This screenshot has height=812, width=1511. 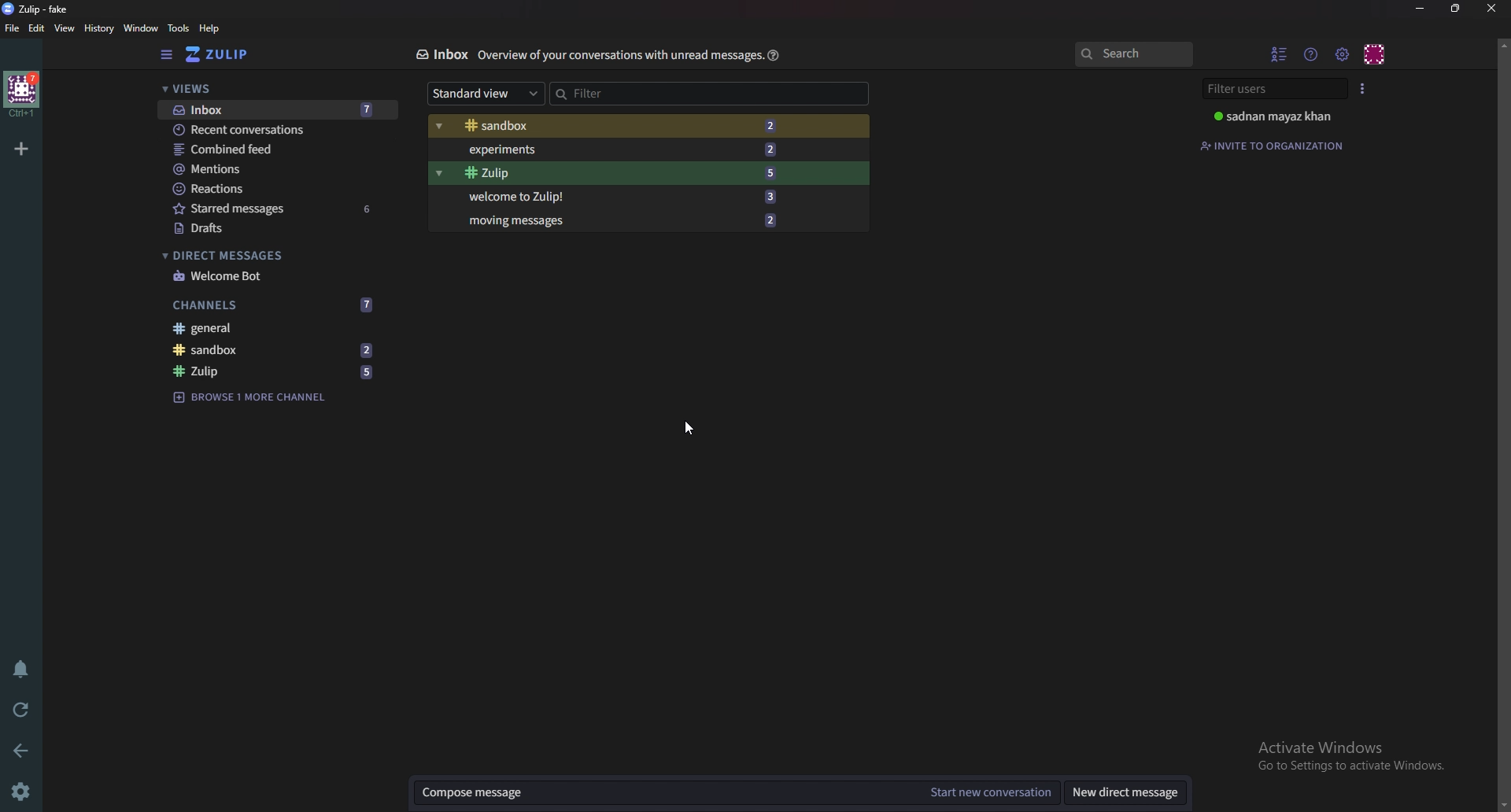 I want to click on Reload, so click(x=21, y=710).